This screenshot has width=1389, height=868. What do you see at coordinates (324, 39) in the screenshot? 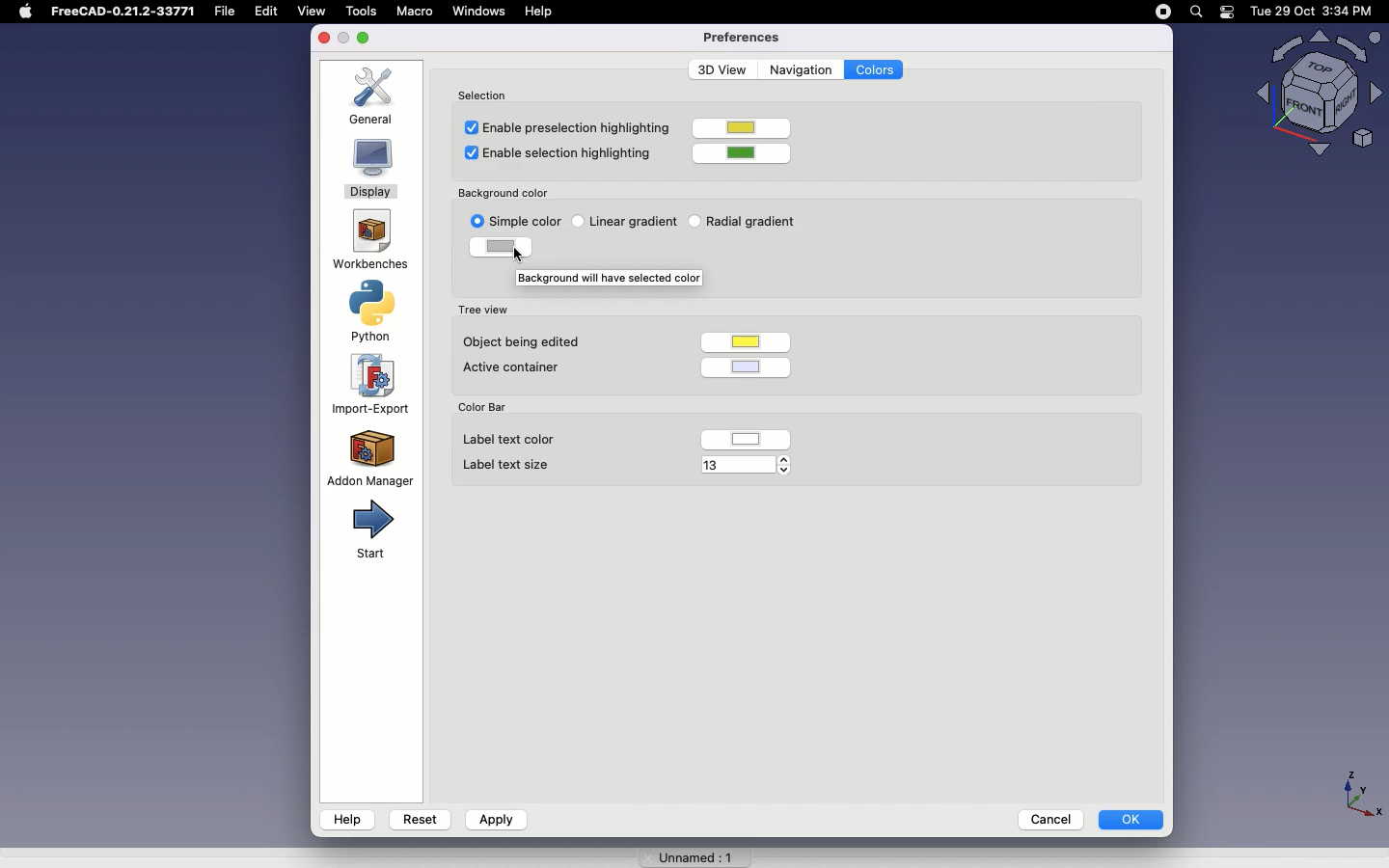
I see `close` at bounding box center [324, 39].